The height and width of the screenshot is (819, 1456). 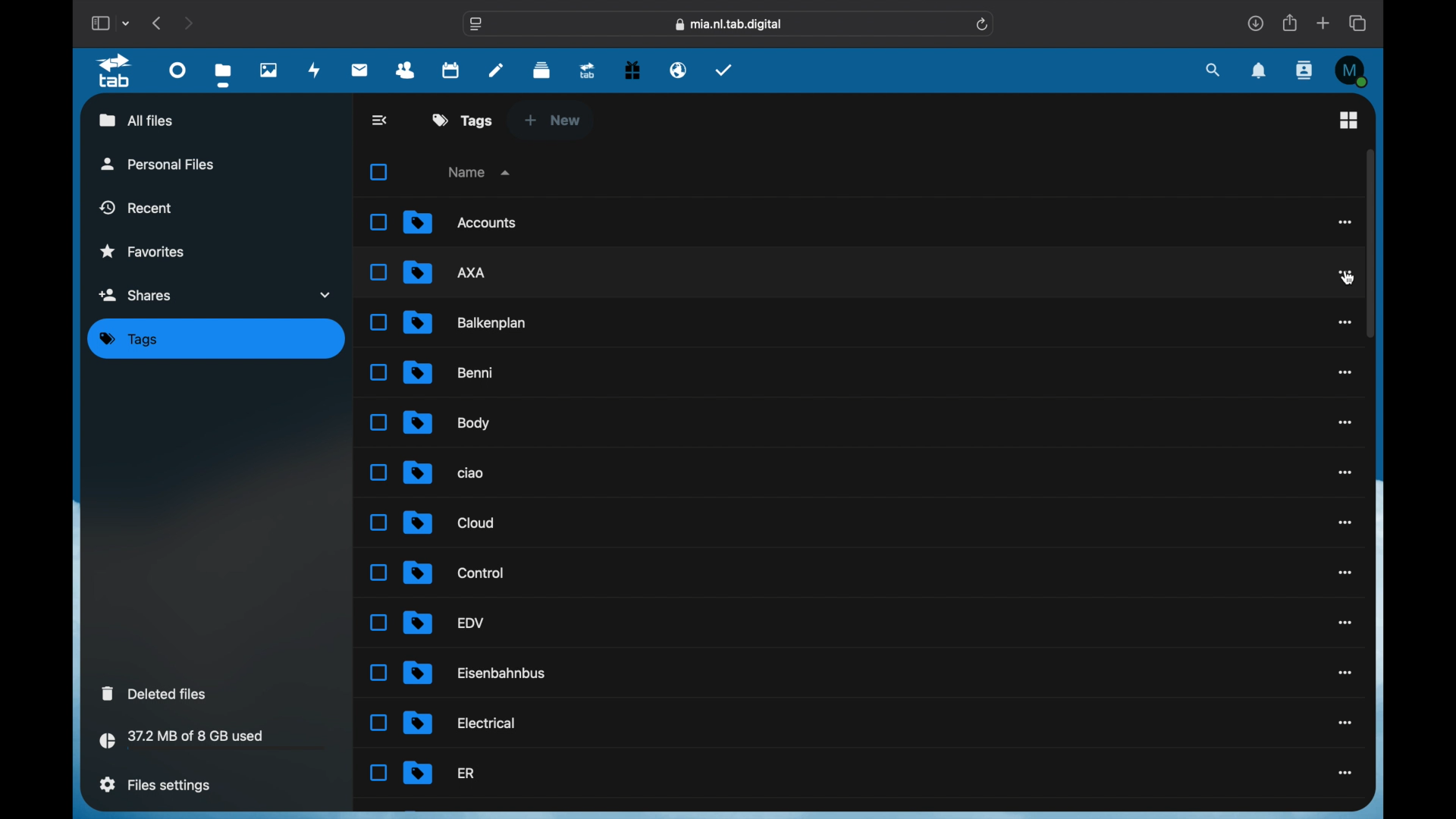 What do you see at coordinates (213, 742) in the screenshot?
I see `storage` at bounding box center [213, 742].